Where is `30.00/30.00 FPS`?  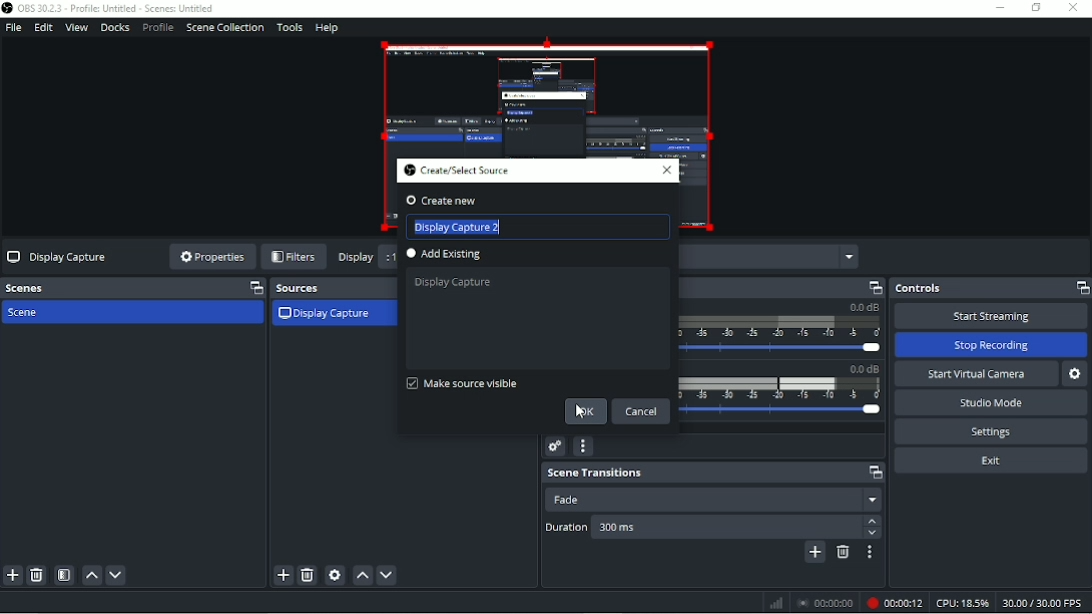
30.00/30.00 FPS is located at coordinates (1045, 602).